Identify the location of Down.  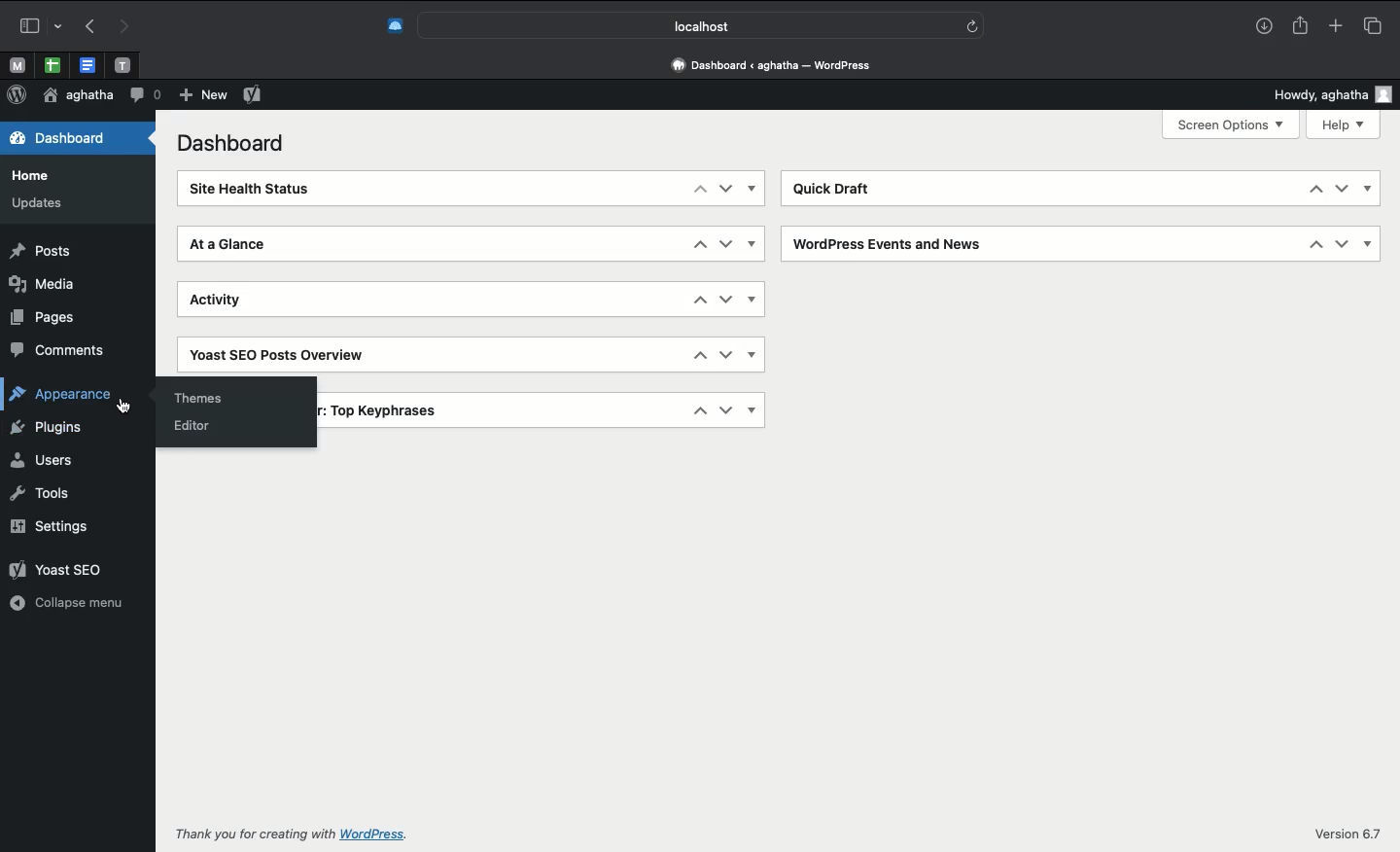
(725, 188).